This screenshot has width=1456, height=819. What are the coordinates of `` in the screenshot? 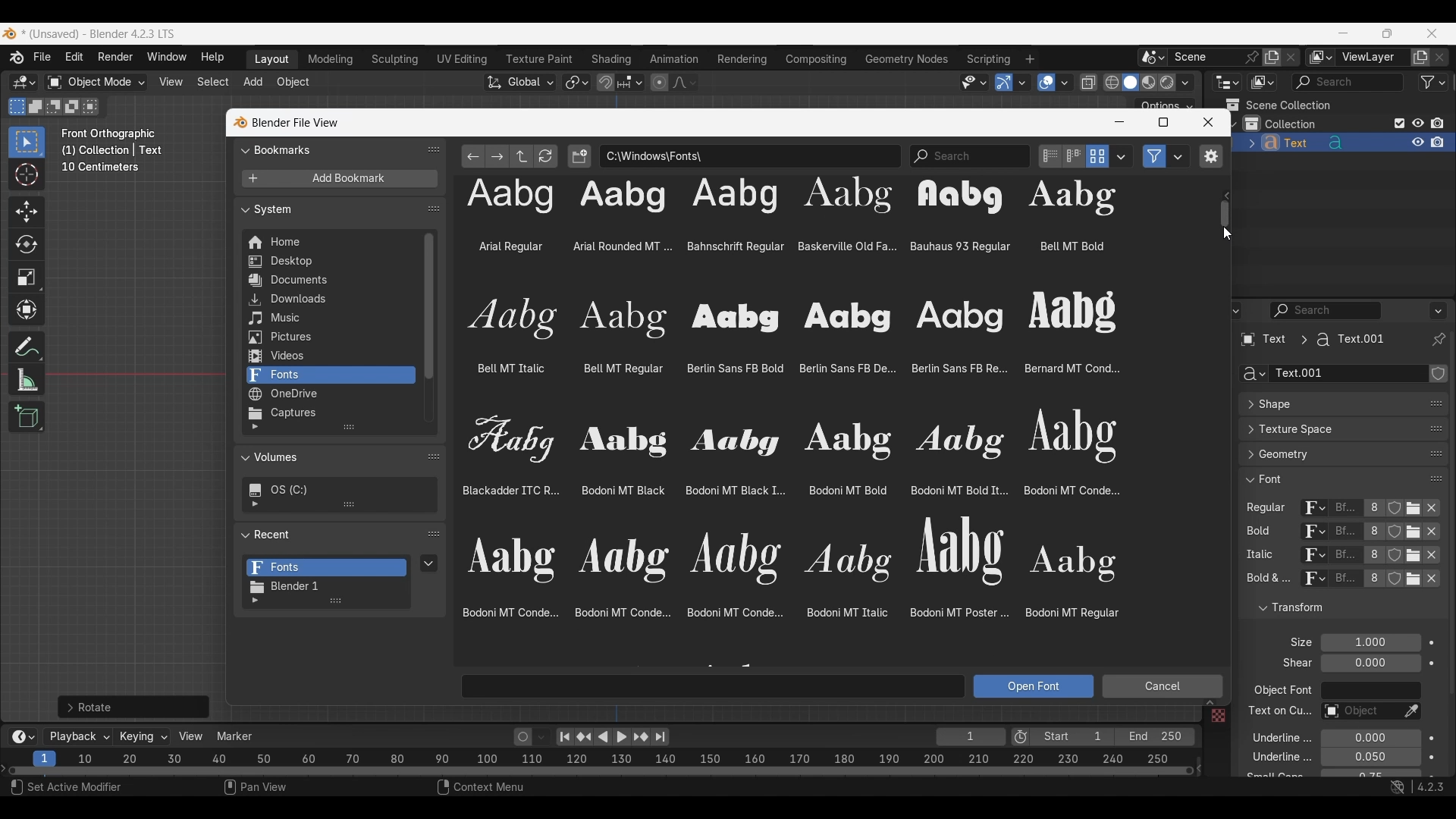 It's located at (1346, 557).